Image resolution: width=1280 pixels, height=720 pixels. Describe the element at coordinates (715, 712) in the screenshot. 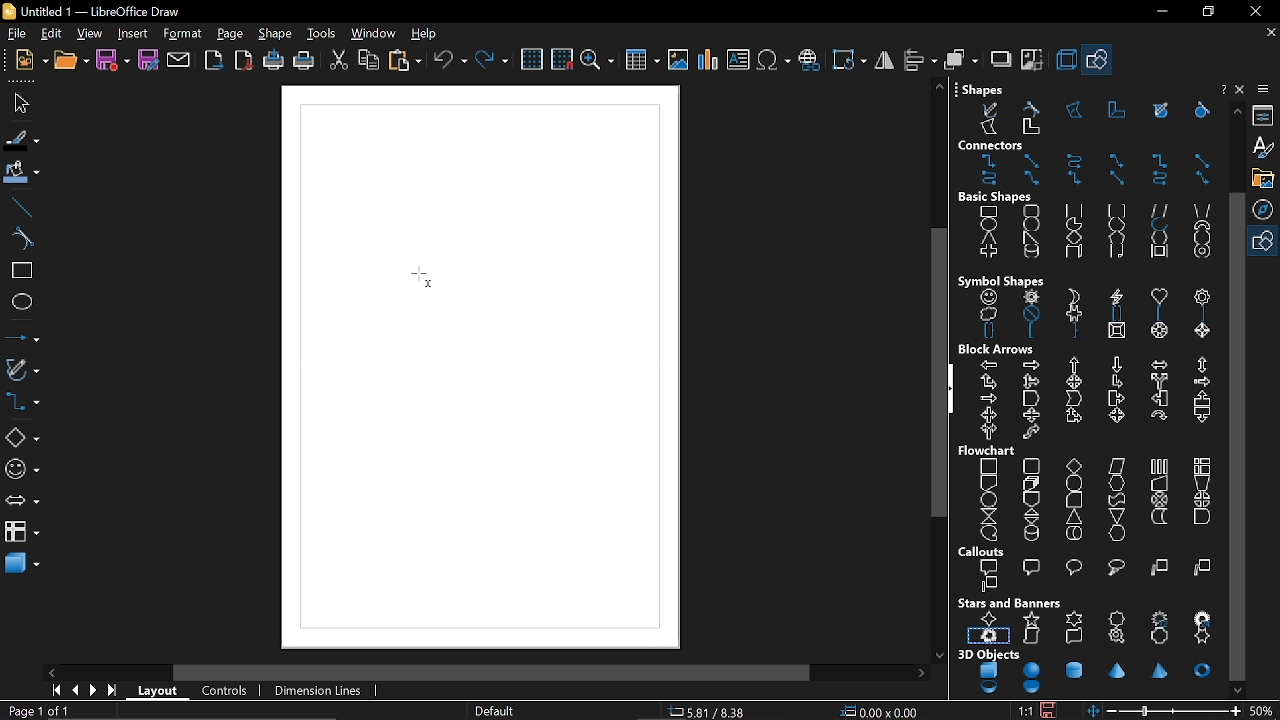

I see `co-ordinate` at that location.